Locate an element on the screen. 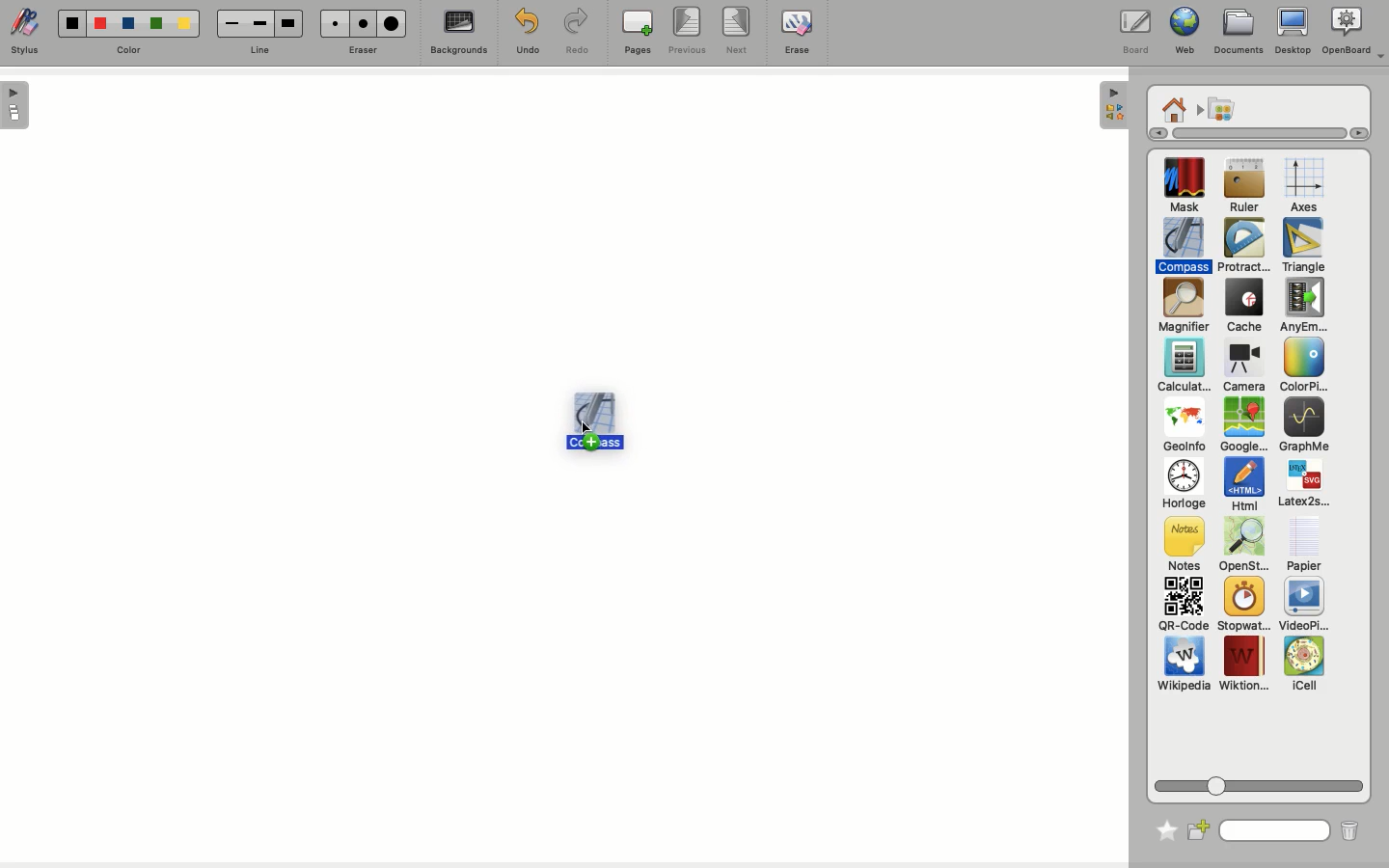  Stylus is located at coordinates (29, 33).